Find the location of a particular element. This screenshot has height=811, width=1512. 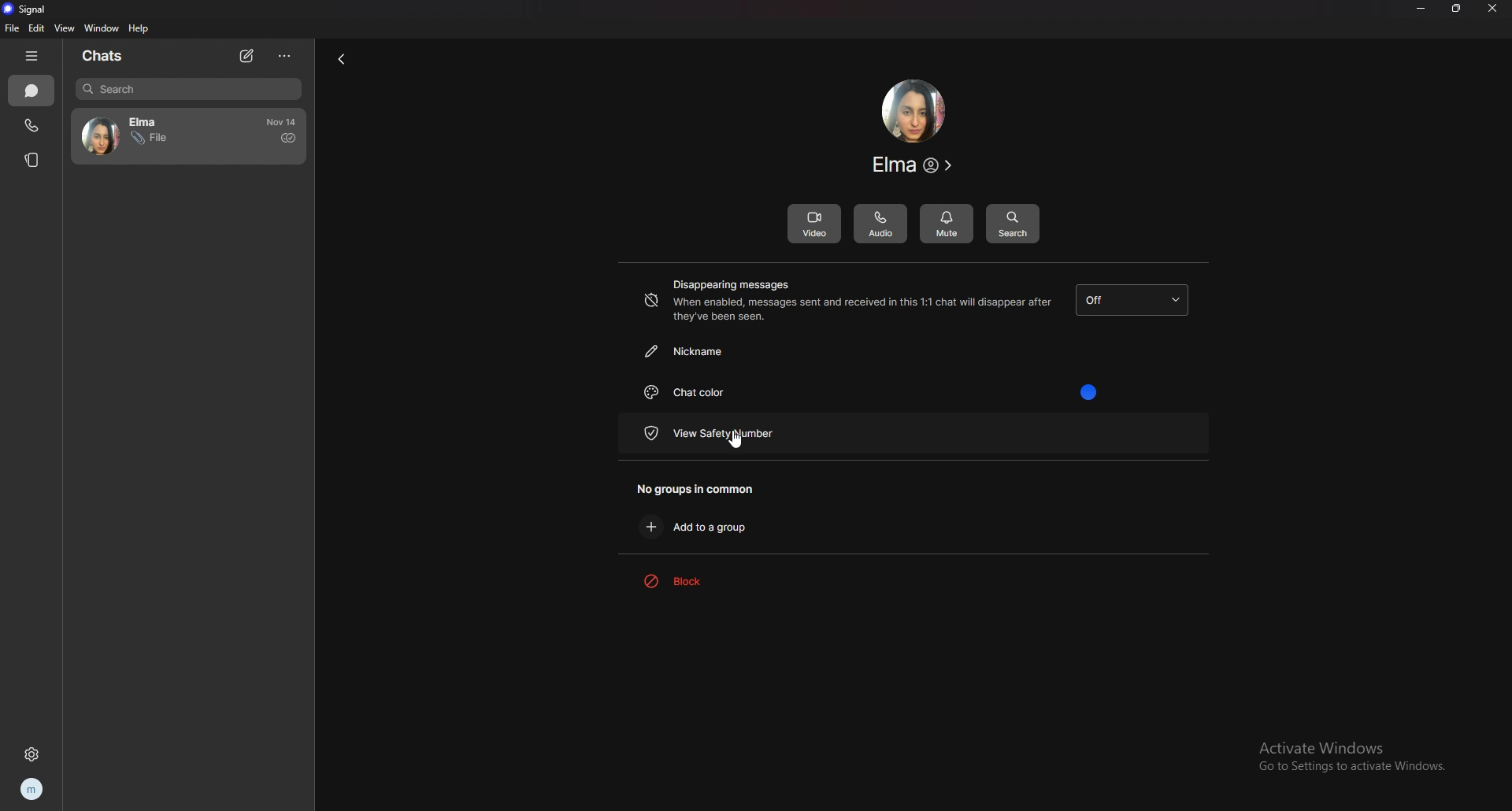

contact name is located at coordinates (915, 165).